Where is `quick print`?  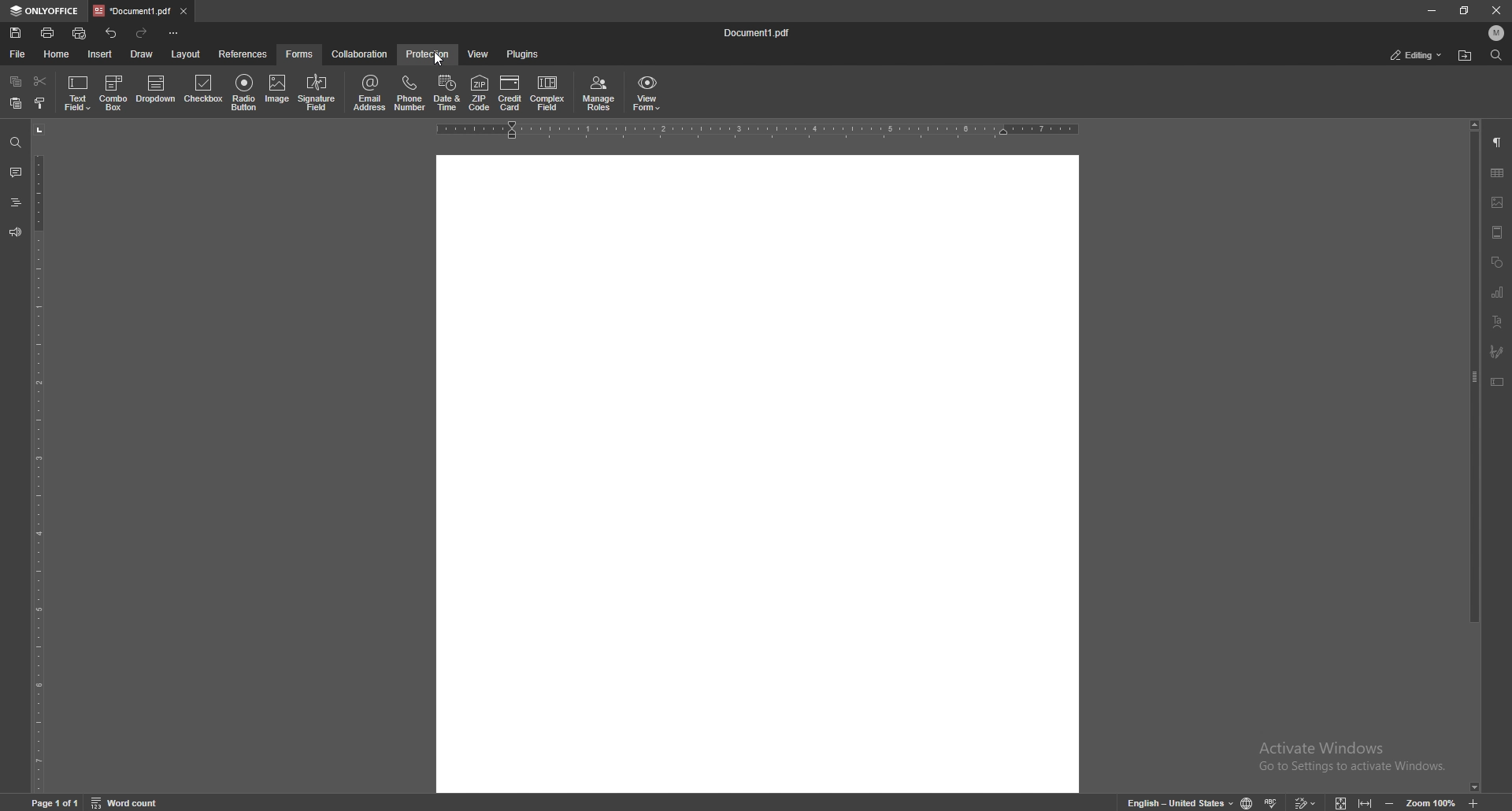 quick print is located at coordinates (80, 35).